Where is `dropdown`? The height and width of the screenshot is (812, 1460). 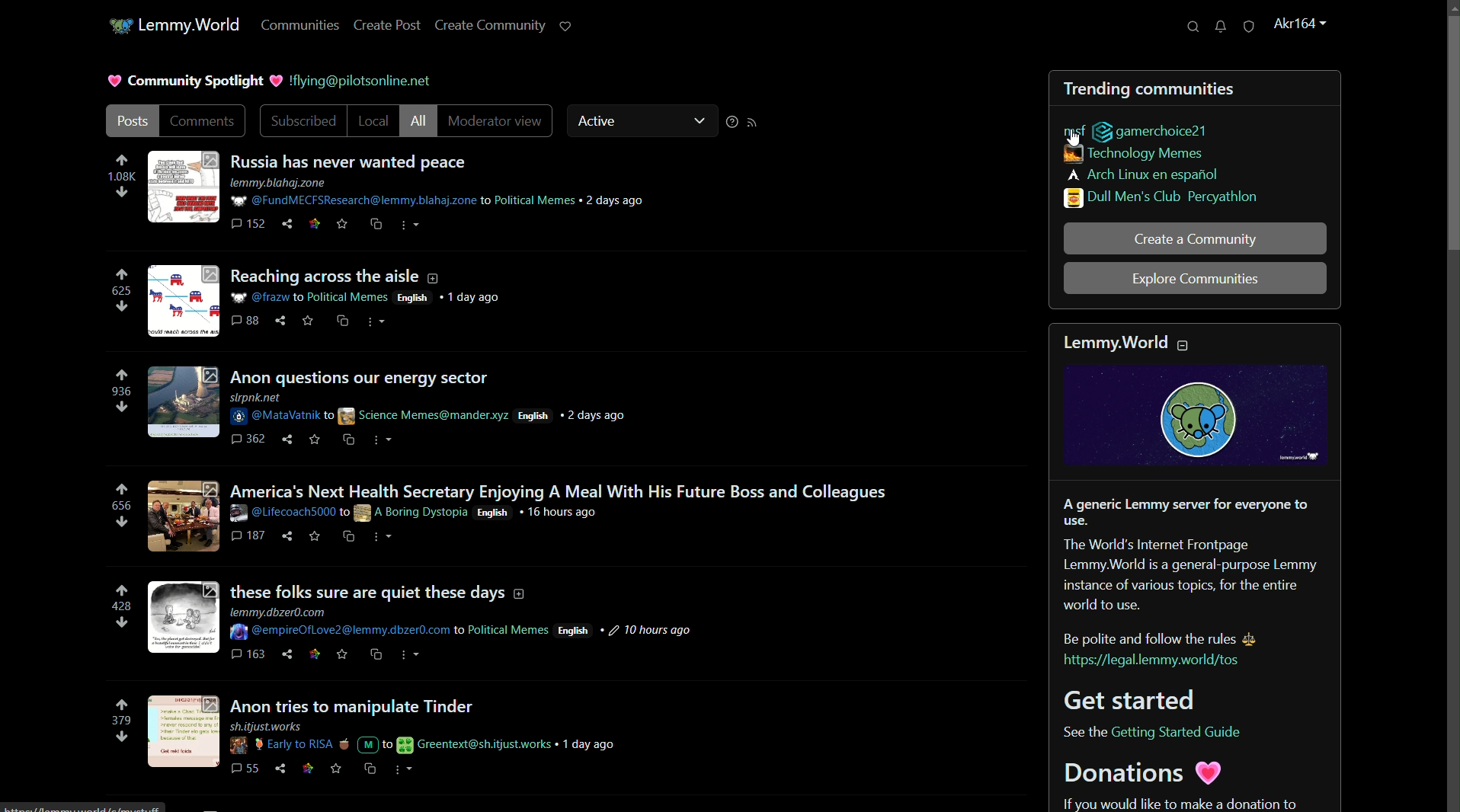 dropdown is located at coordinates (699, 122).